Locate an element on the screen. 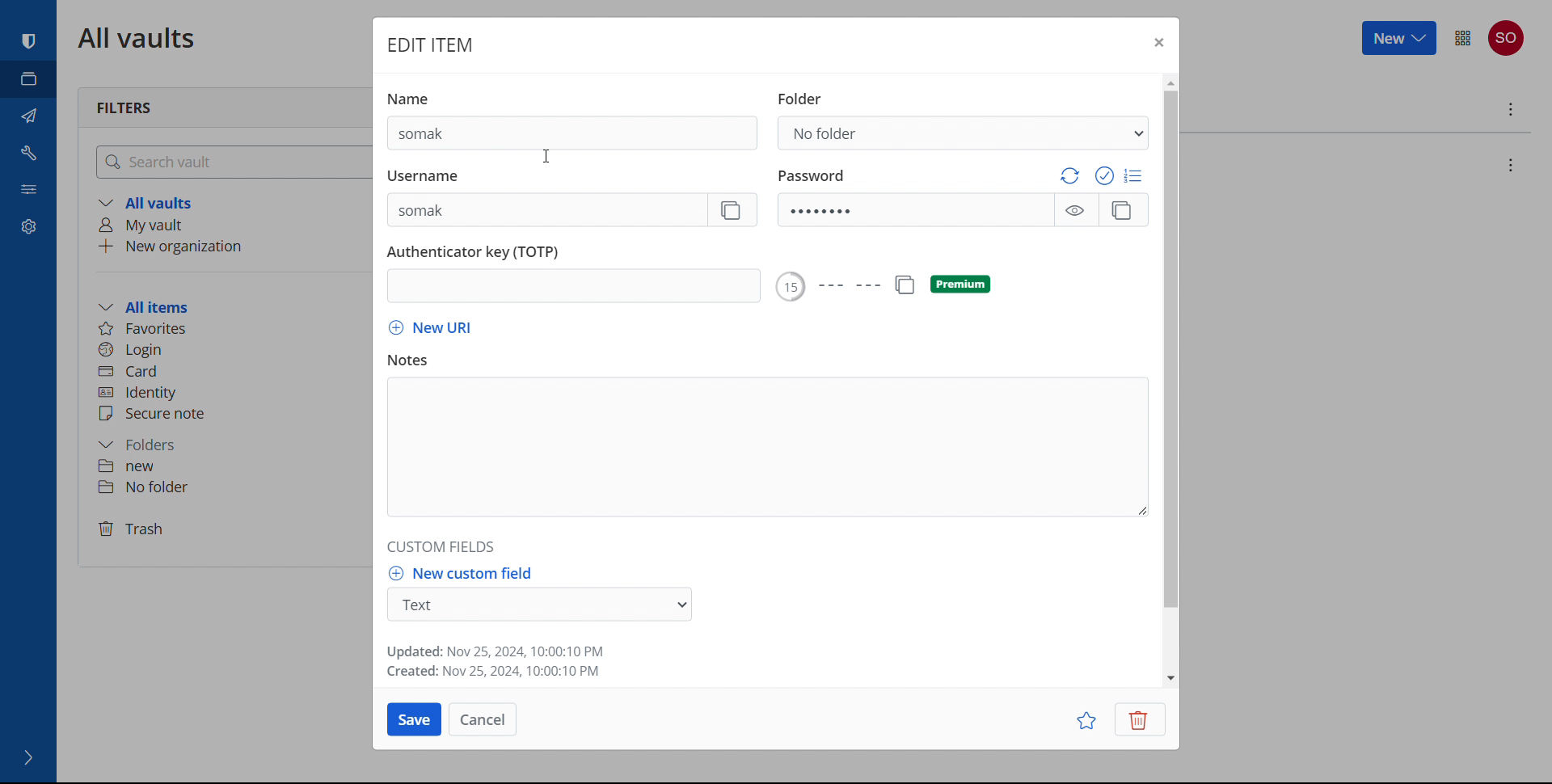 This screenshot has width=1552, height=784. folder 2 is located at coordinates (228, 487).